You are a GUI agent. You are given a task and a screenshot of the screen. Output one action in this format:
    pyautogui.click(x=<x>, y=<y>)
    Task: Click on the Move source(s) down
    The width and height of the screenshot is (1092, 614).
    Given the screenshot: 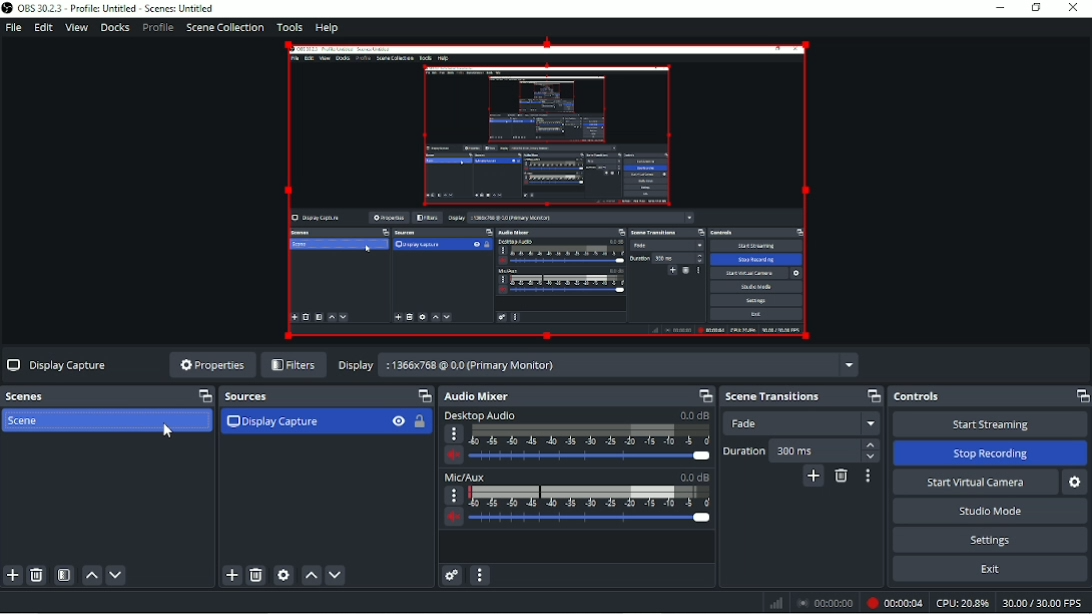 What is the action you would take?
    pyautogui.click(x=335, y=575)
    